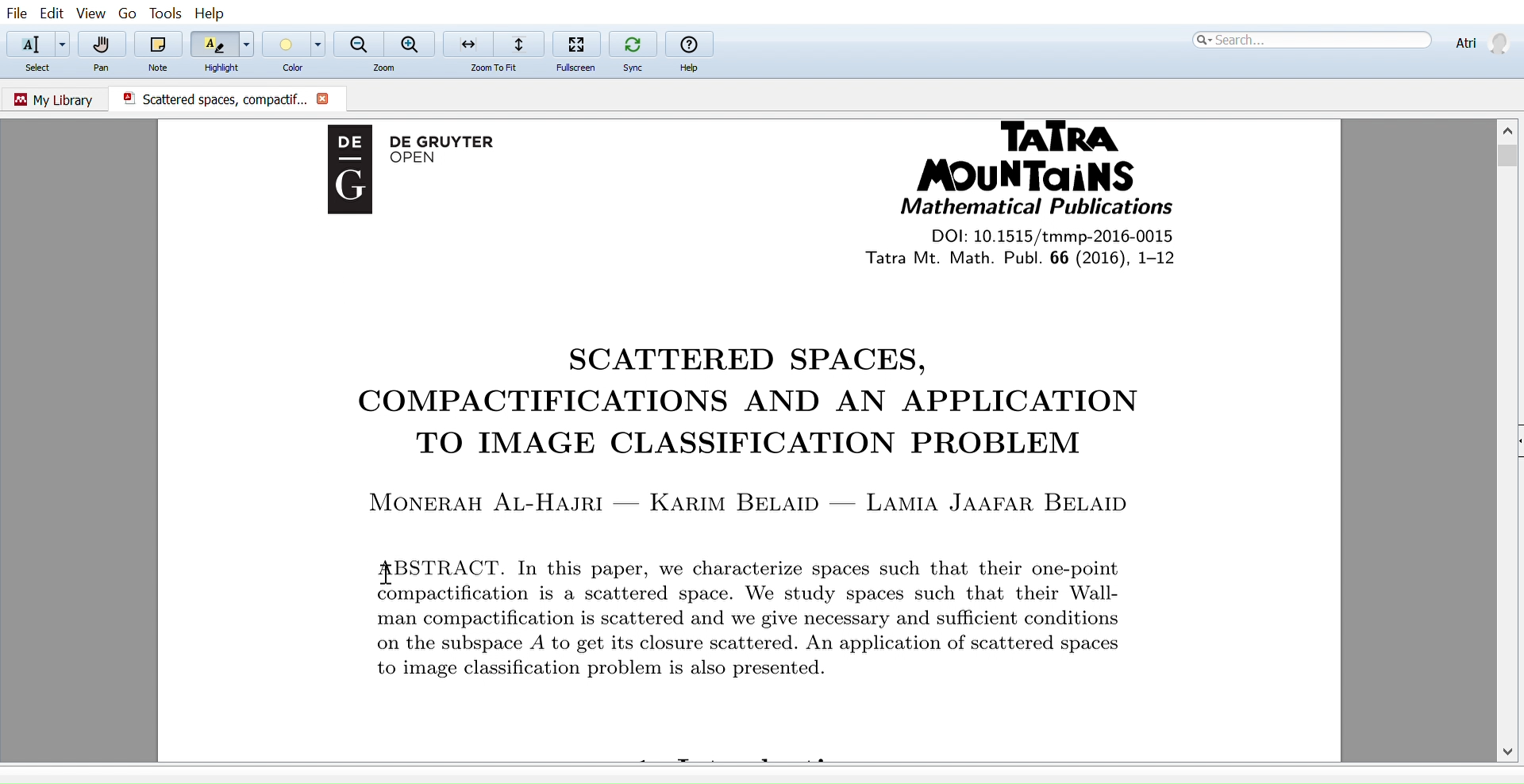 This screenshot has height=784, width=1524. What do you see at coordinates (1046, 235) in the screenshot?
I see `DOI: 10.1515/tmmp-2016-0015` at bounding box center [1046, 235].